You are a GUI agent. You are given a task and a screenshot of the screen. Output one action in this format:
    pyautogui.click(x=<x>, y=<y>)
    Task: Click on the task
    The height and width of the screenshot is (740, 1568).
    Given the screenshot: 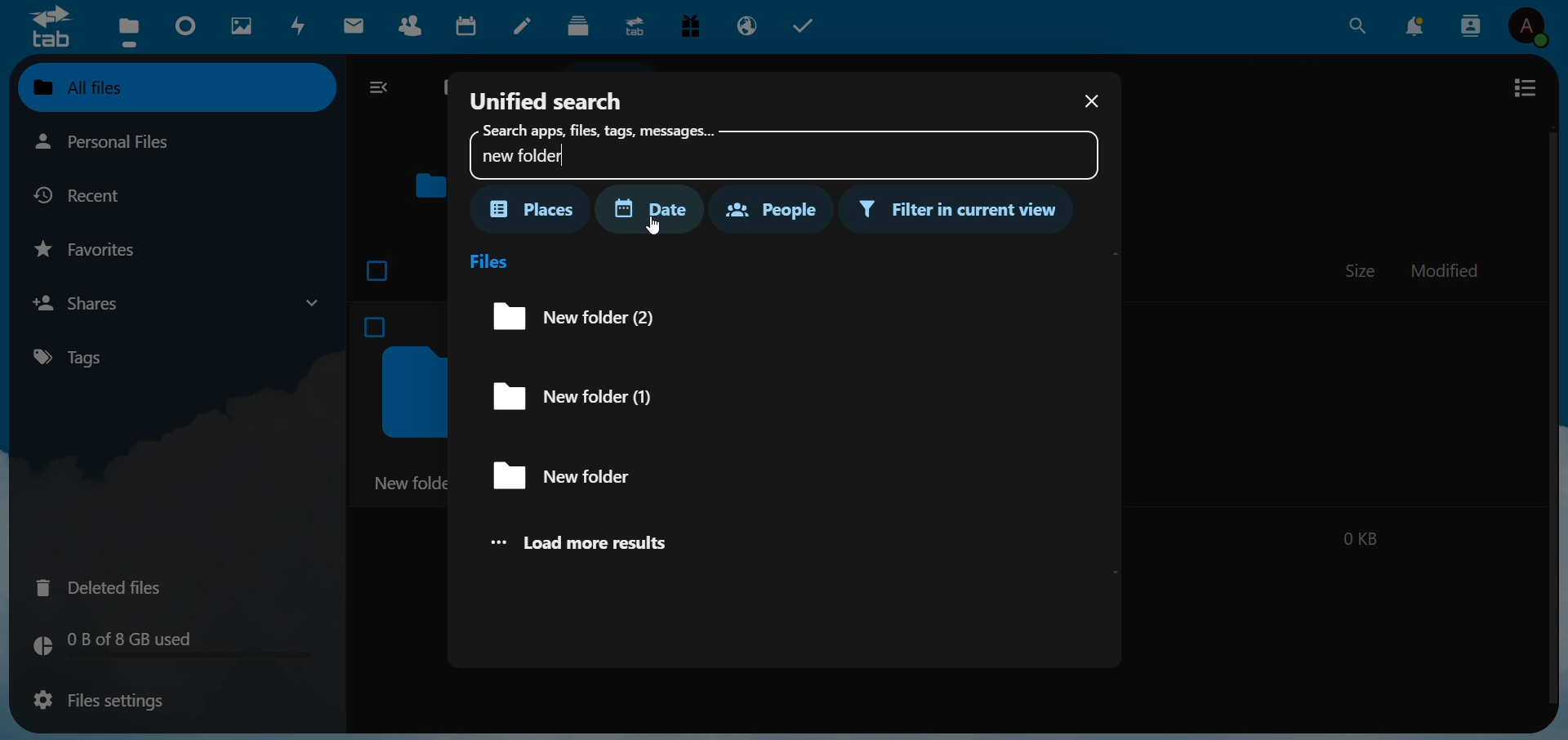 What is the action you would take?
    pyautogui.click(x=808, y=26)
    